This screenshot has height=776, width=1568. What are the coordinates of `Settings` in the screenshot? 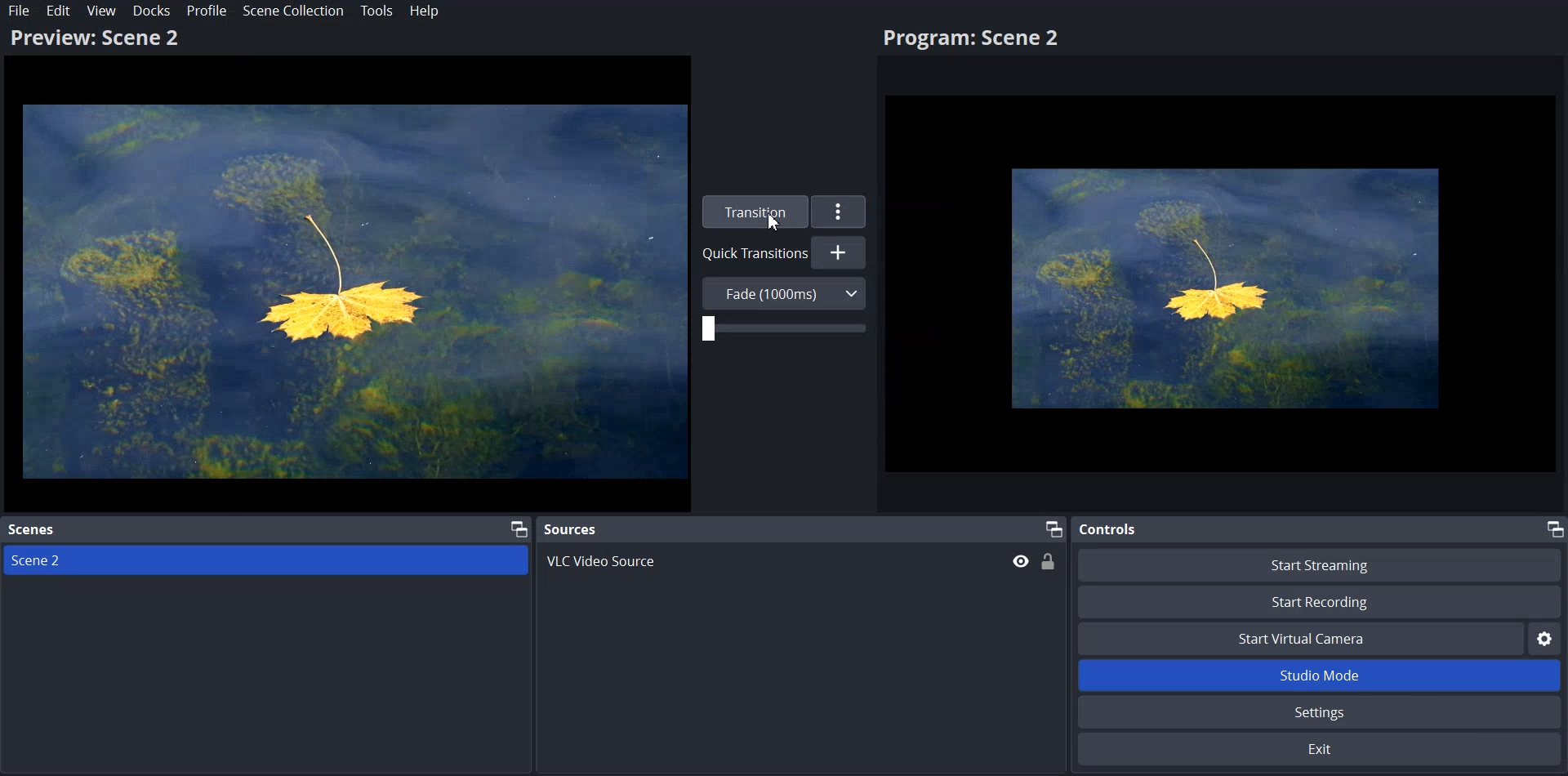 It's located at (1322, 711).